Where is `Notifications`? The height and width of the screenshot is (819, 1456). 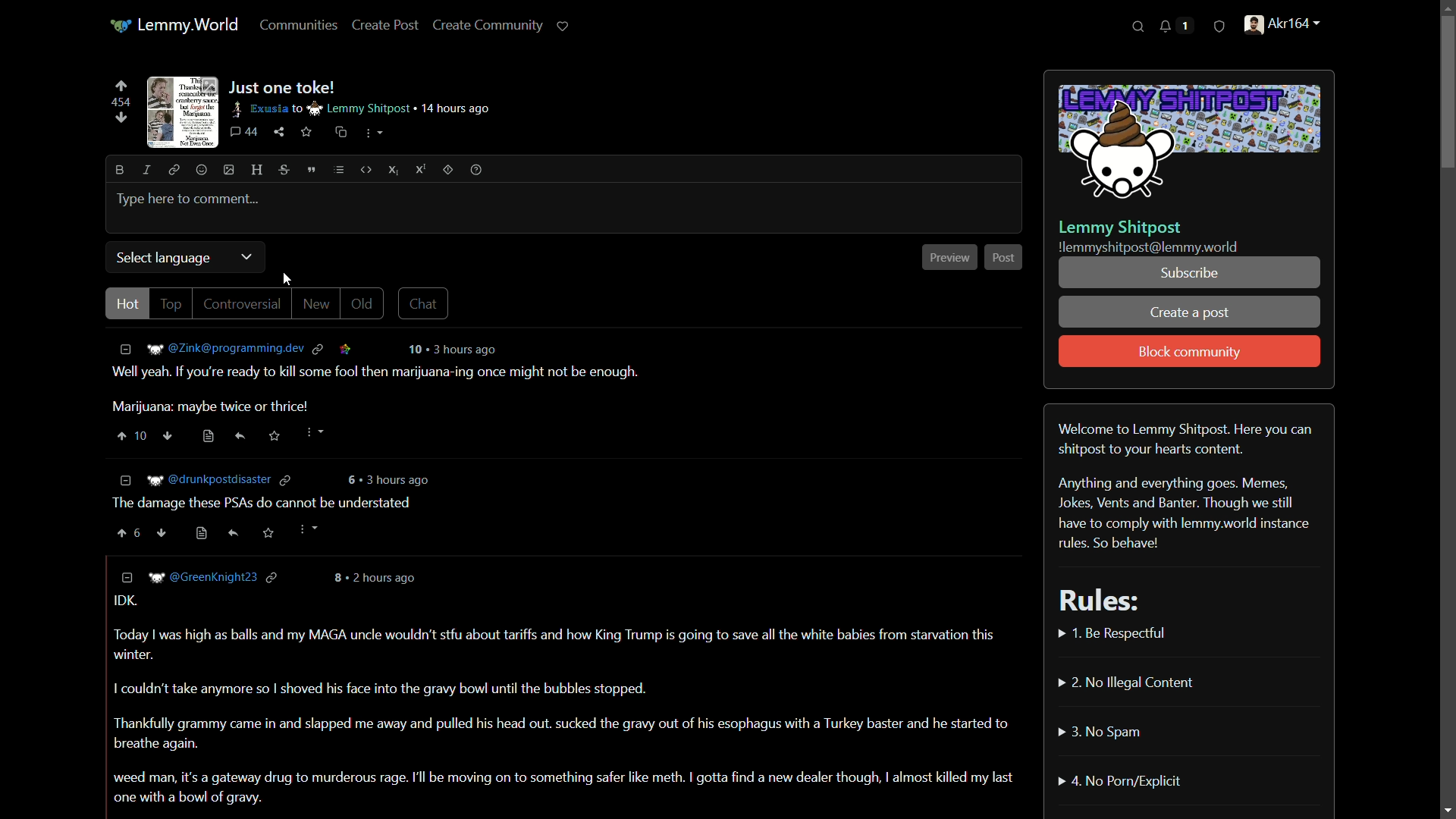 Notifications is located at coordinates (1176, 26).